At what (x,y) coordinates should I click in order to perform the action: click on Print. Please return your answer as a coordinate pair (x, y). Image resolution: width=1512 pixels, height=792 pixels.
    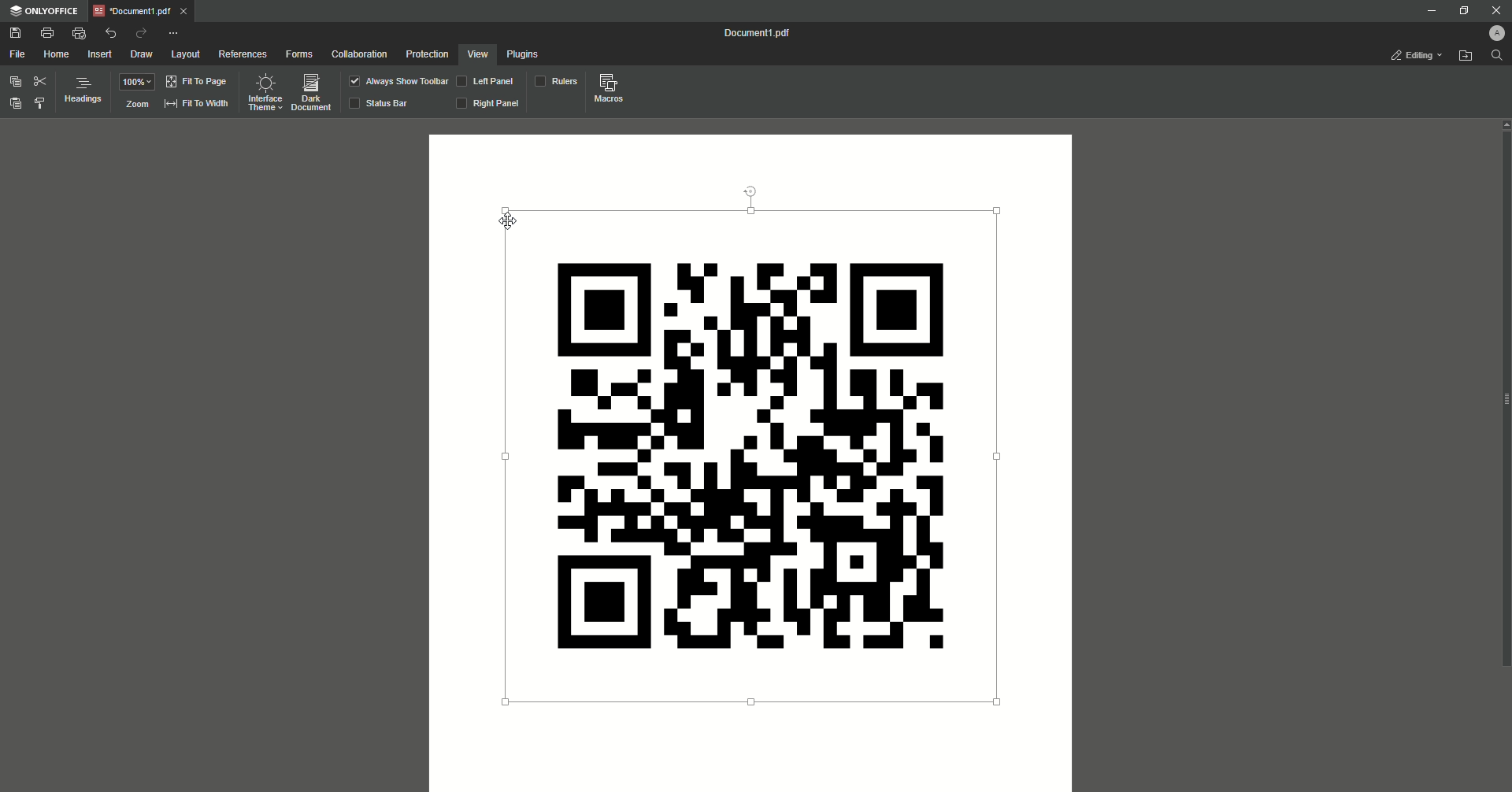
    Looking at the image, I should click on (46, 31).